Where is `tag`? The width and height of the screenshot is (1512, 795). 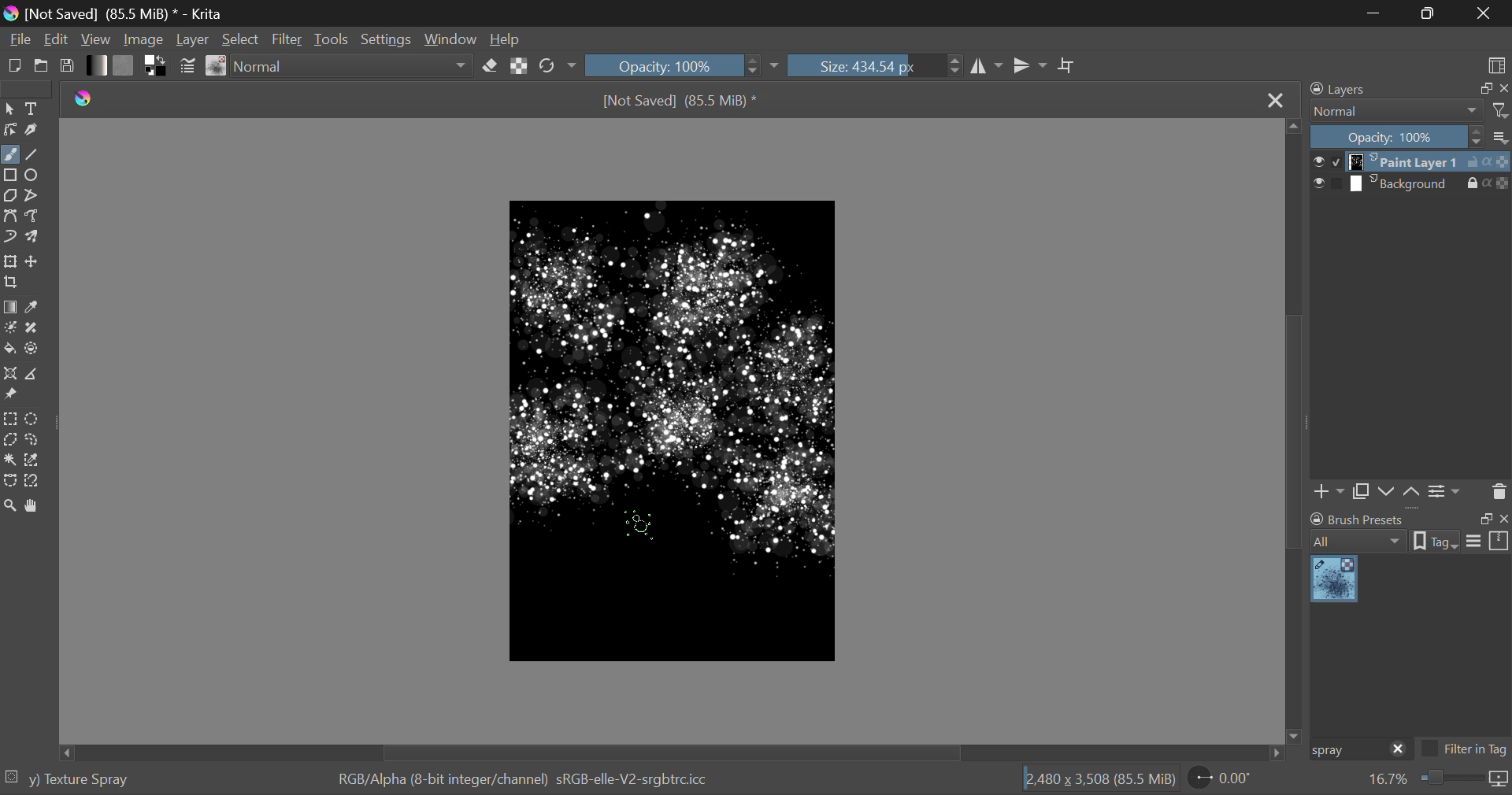
tag is located at coordinates (1436, 543).